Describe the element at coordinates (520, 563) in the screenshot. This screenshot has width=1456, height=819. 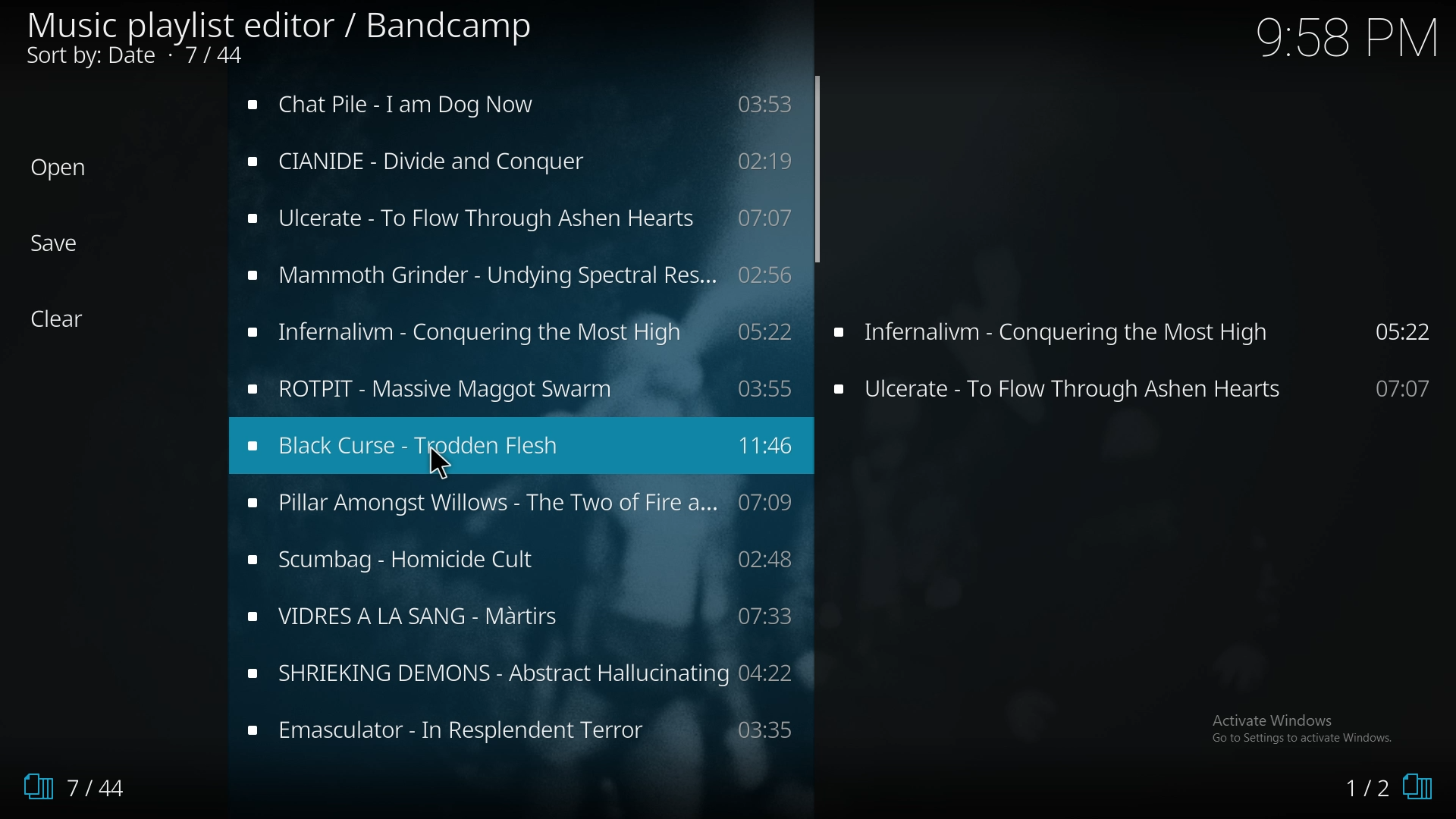
I see `music` at that location.